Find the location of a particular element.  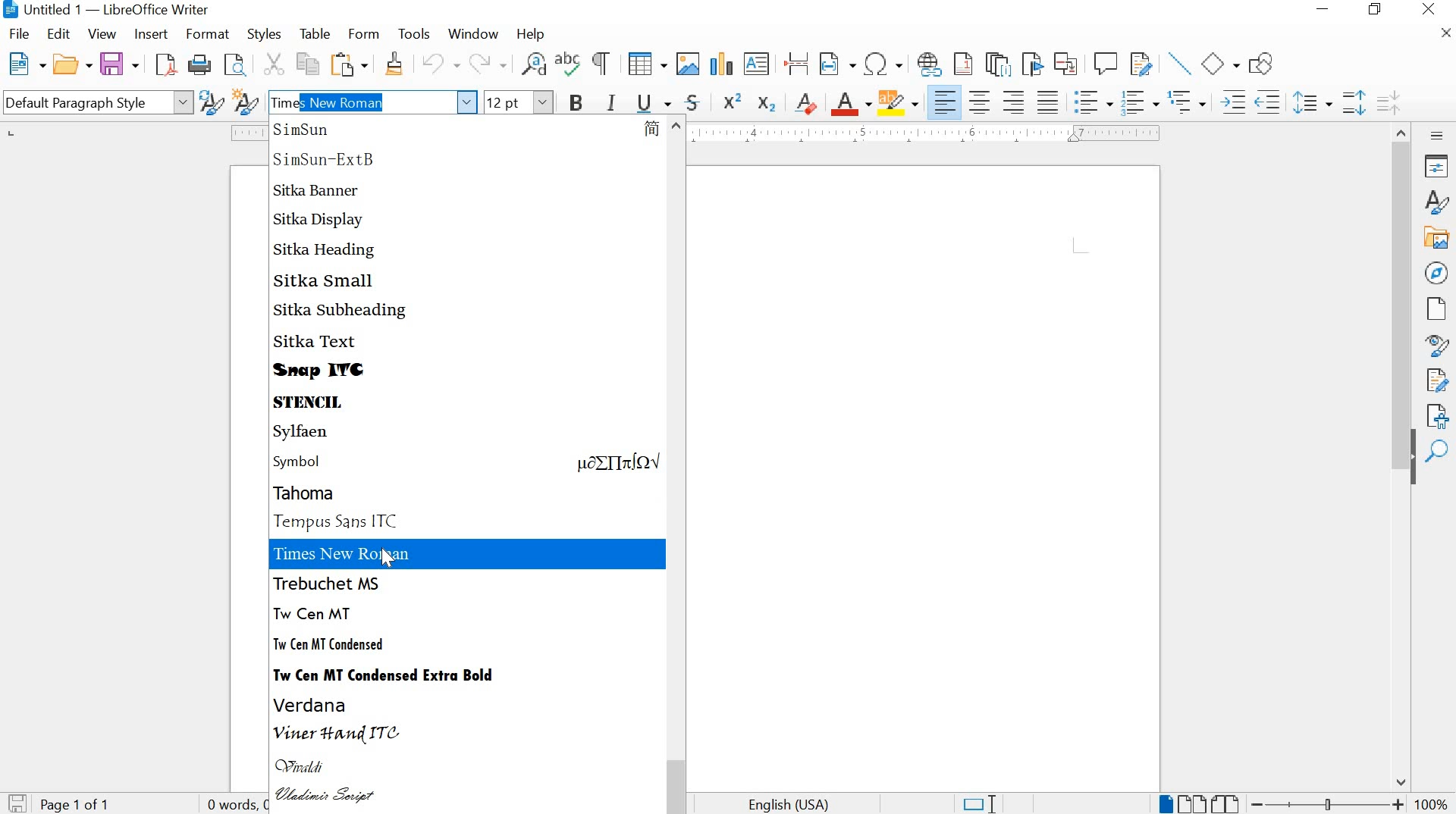

WINDOW is located at coordinates (472, 35).